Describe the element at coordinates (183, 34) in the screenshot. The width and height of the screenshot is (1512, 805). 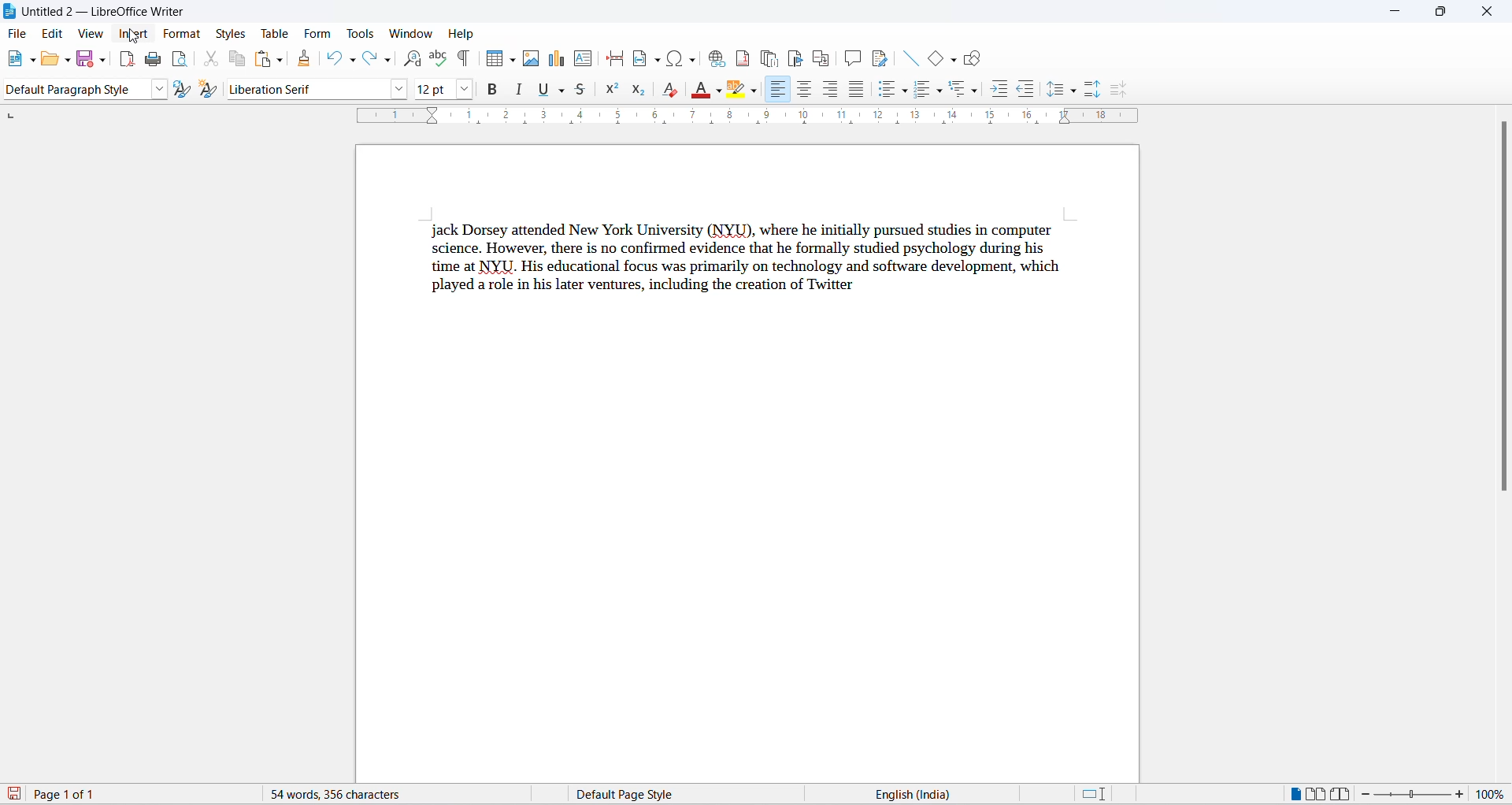
I see `format` at that location.